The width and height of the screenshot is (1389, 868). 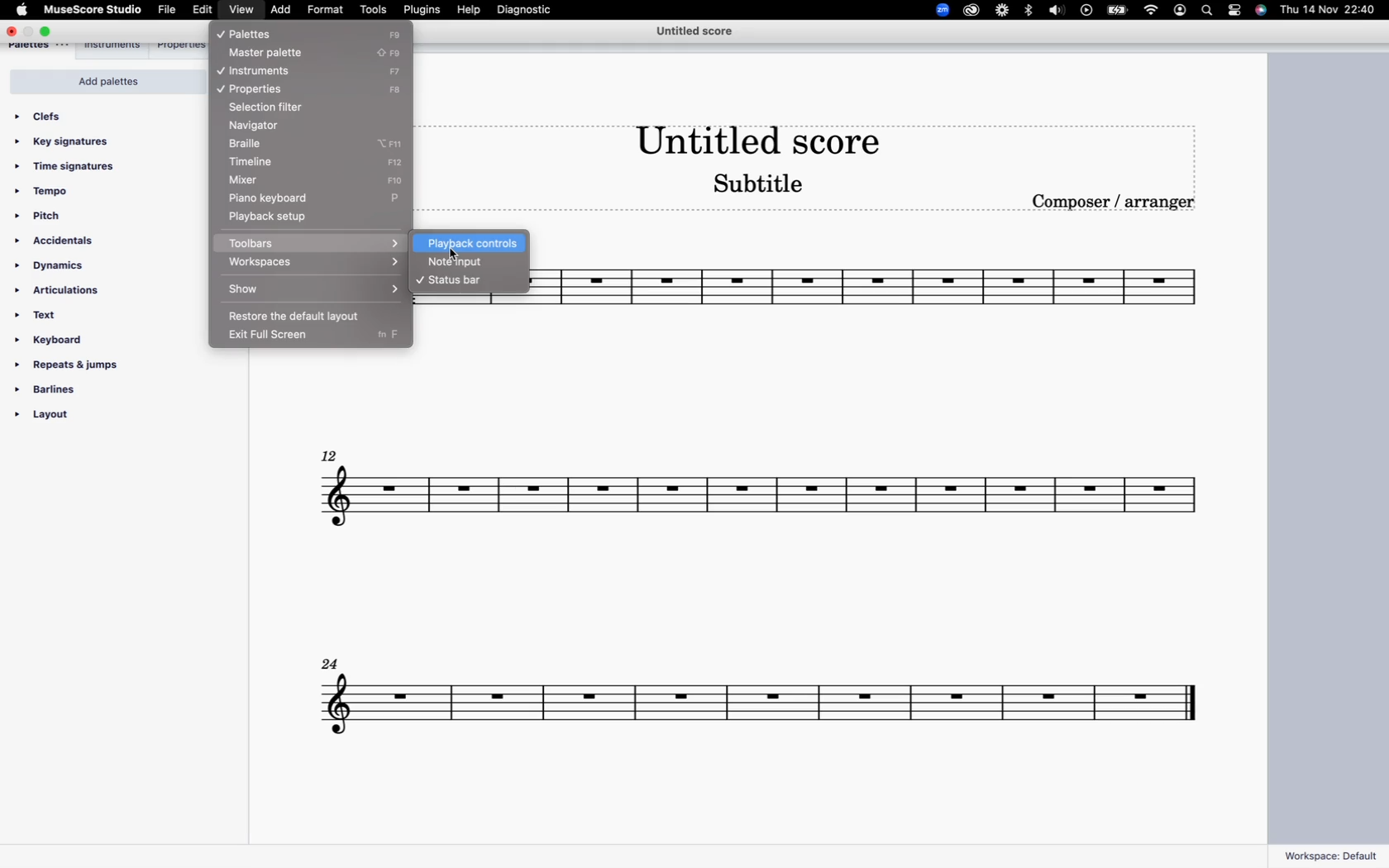 I want to click on score, so click(x=757, y=503).